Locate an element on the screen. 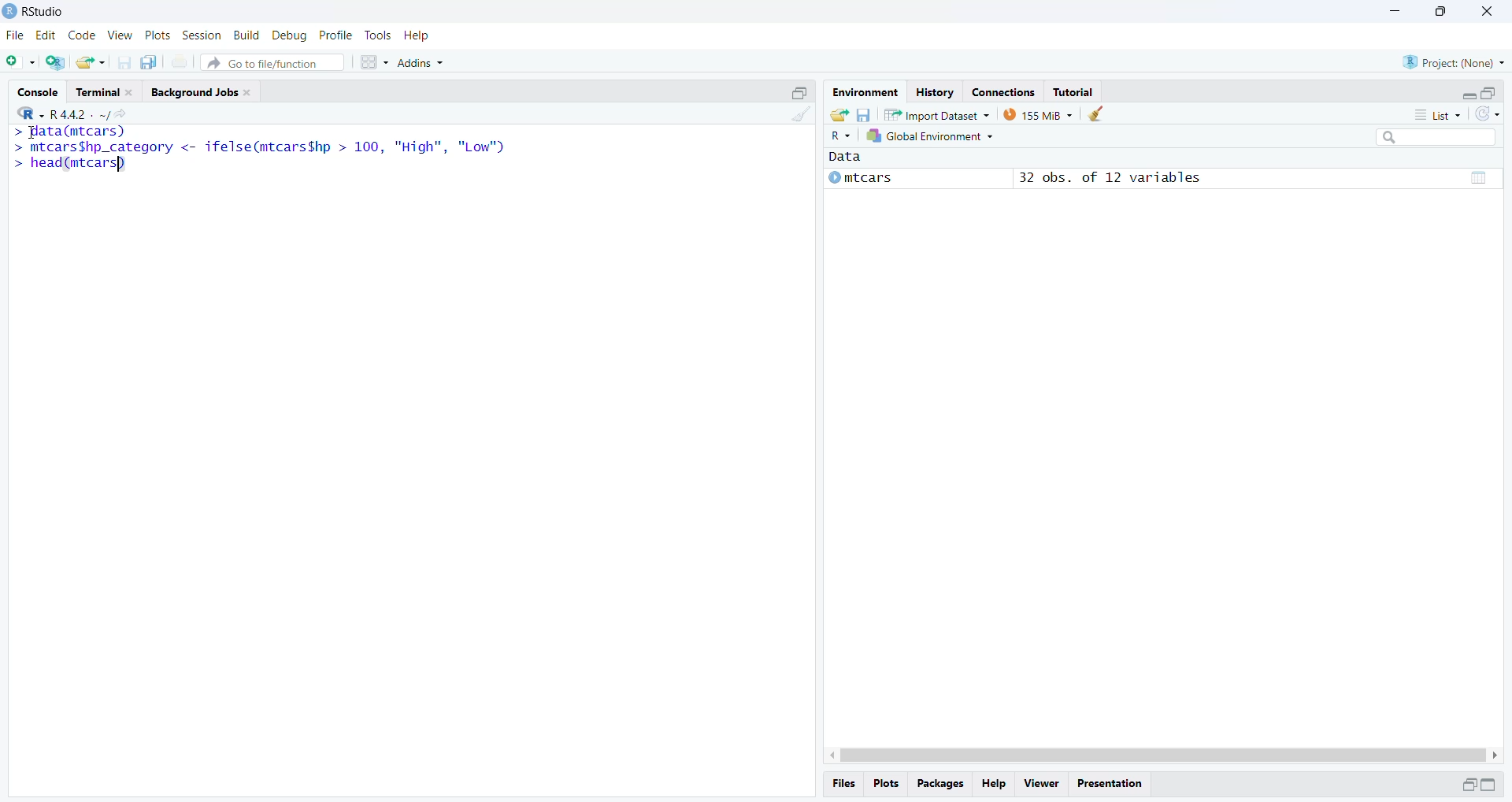 This screenshot has width=1512, height=802. List is located at coordinates (1441, 115).